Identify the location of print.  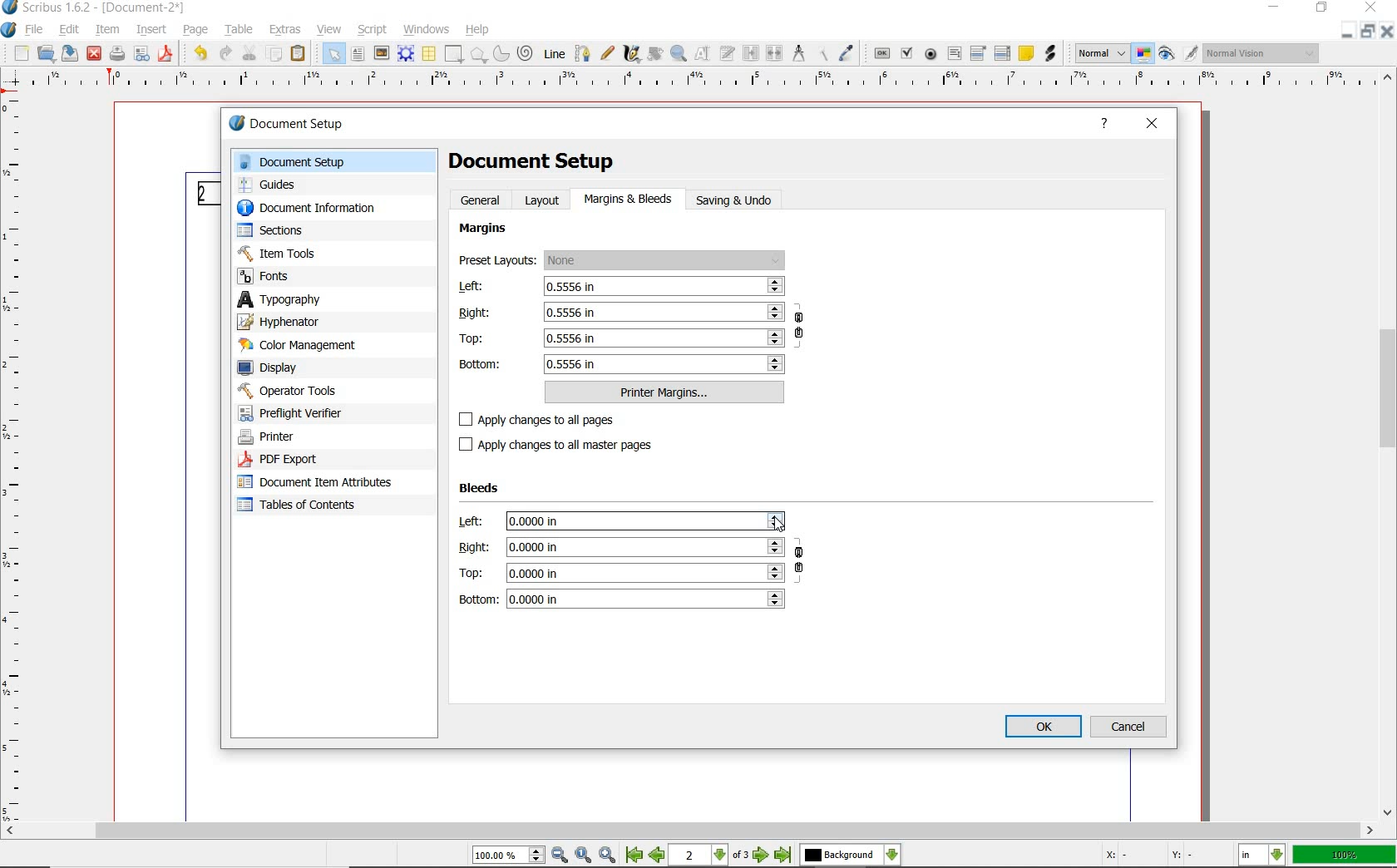
(116, 53).